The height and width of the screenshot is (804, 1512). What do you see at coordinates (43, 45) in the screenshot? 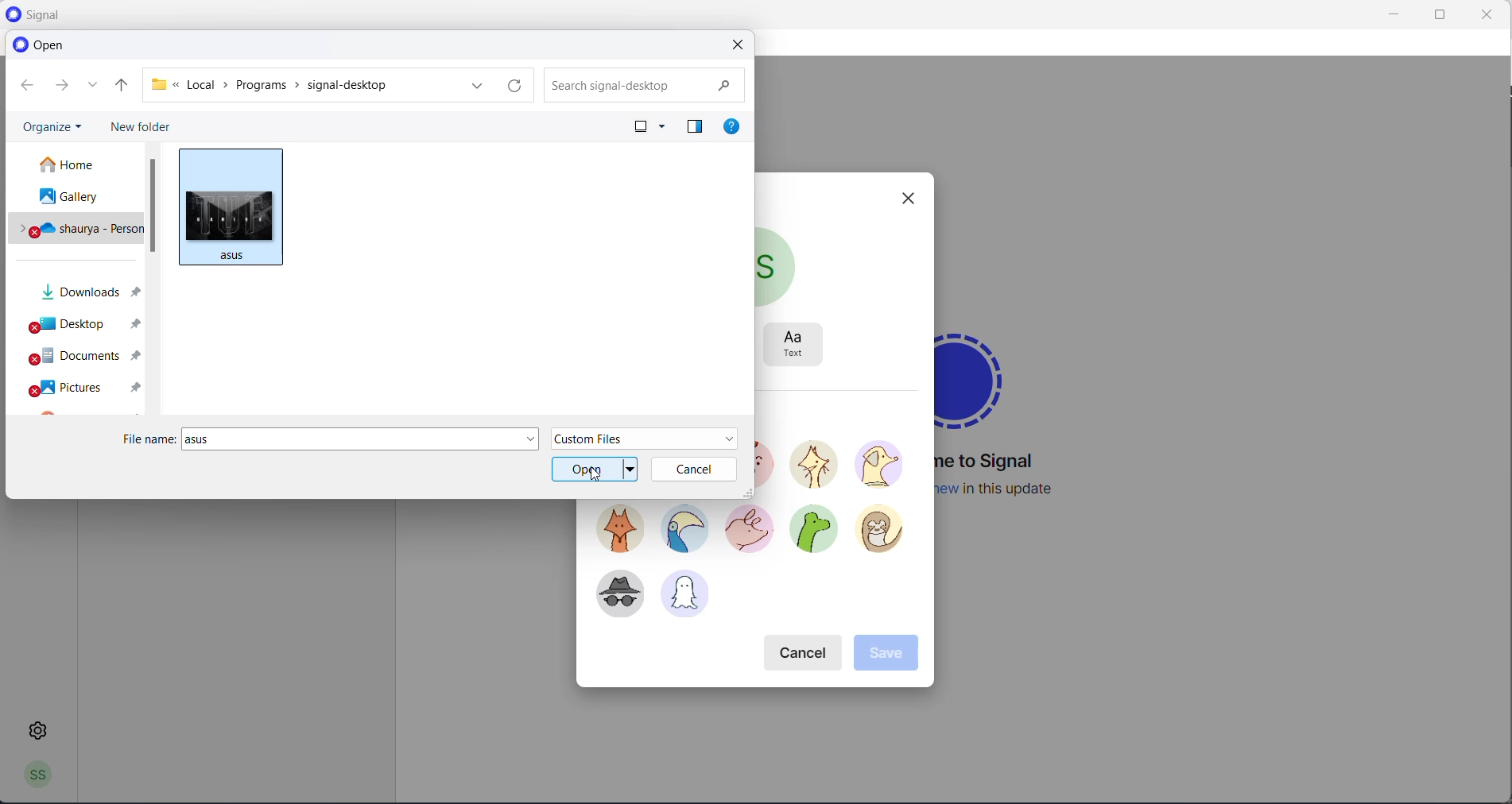
I see `open heading` at bounding box center [43, 45].